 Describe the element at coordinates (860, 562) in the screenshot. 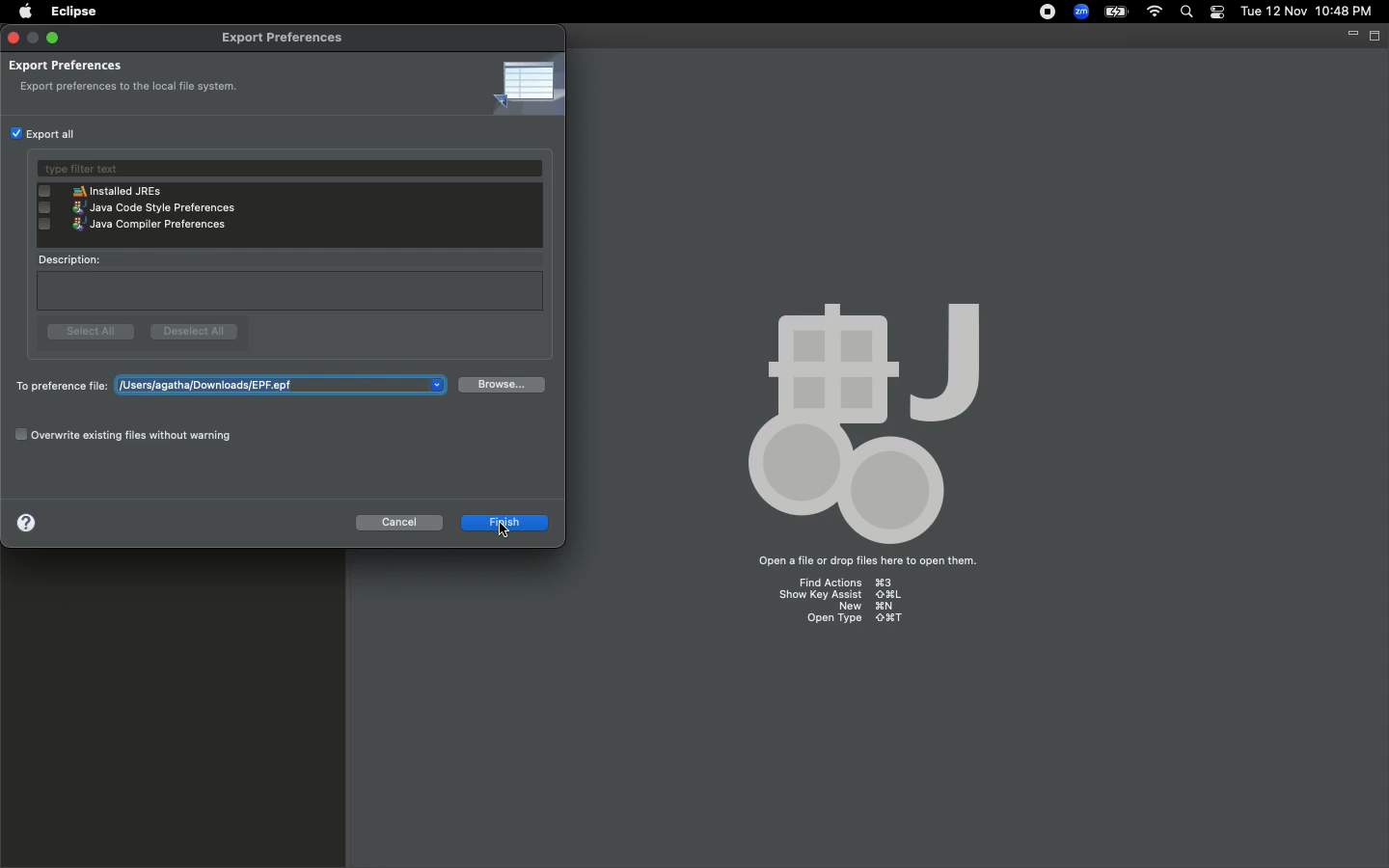

I see `open a file or drop files here to open them. ` at that location.